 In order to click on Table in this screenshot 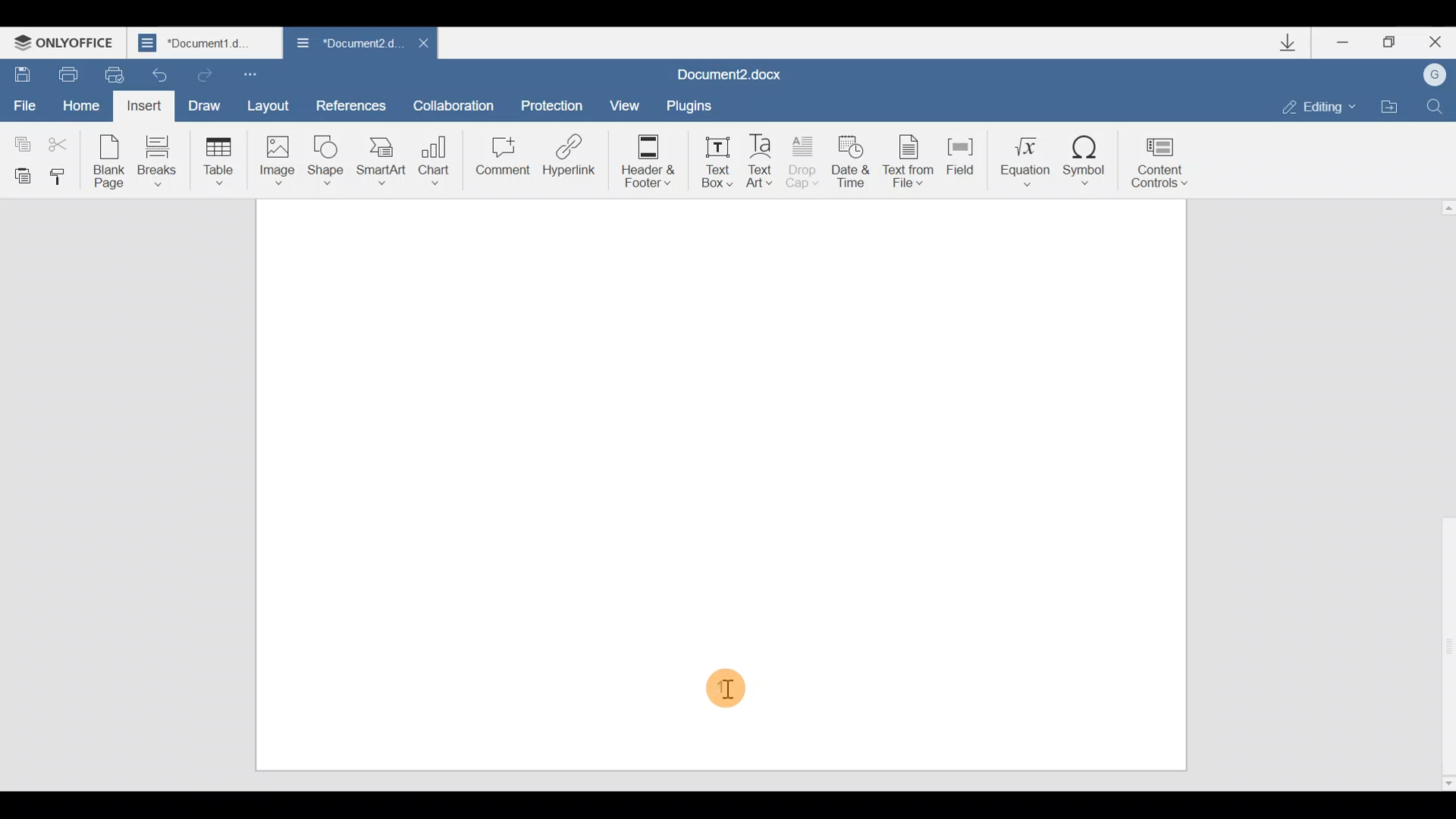, I will do `click(215, 160)`.